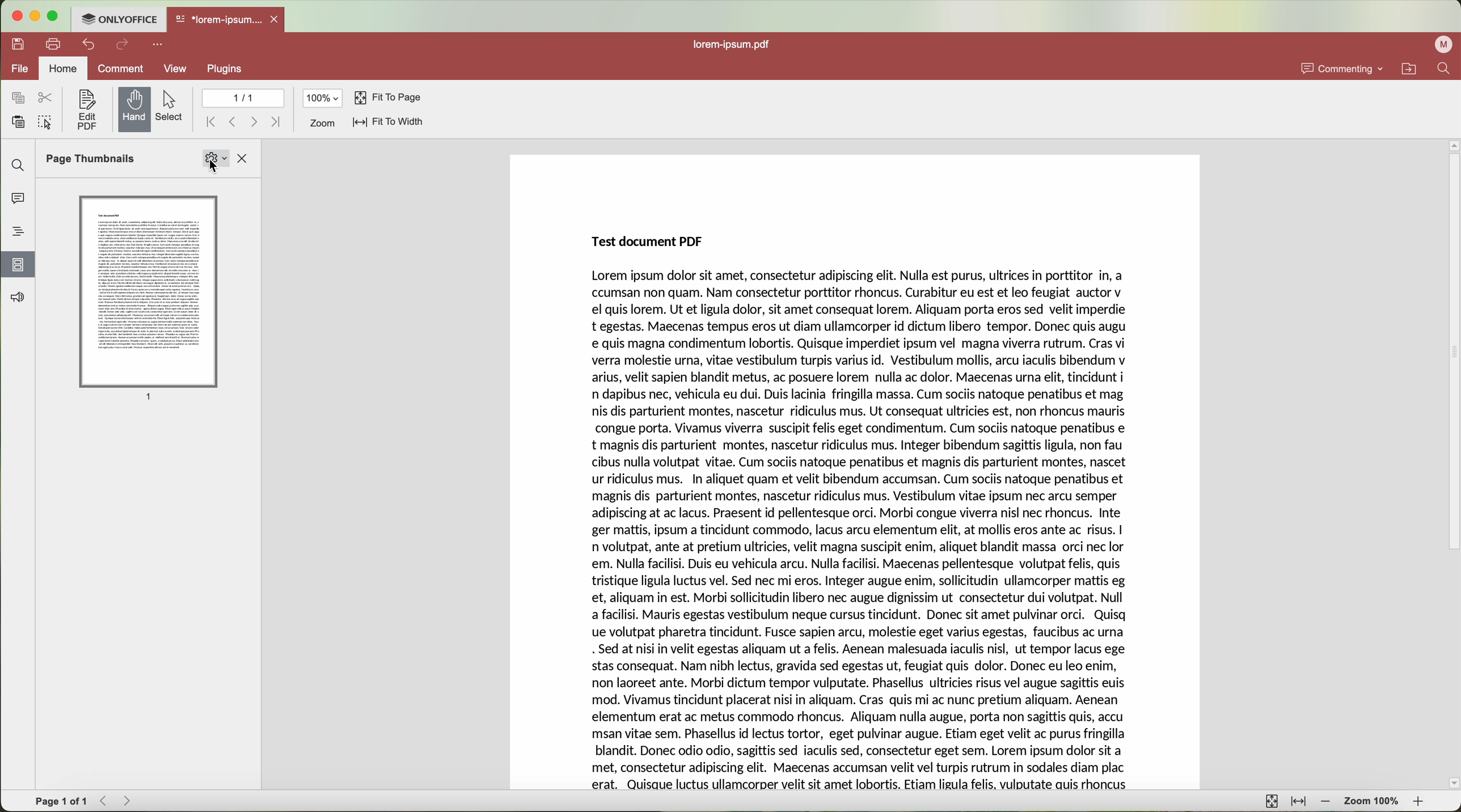 The height and width of the screenshot is (812, 1461). What do you see at coordinates (1422, 802) in the screenshot?
I see `zoom in` at bounding box center [1422, 802].